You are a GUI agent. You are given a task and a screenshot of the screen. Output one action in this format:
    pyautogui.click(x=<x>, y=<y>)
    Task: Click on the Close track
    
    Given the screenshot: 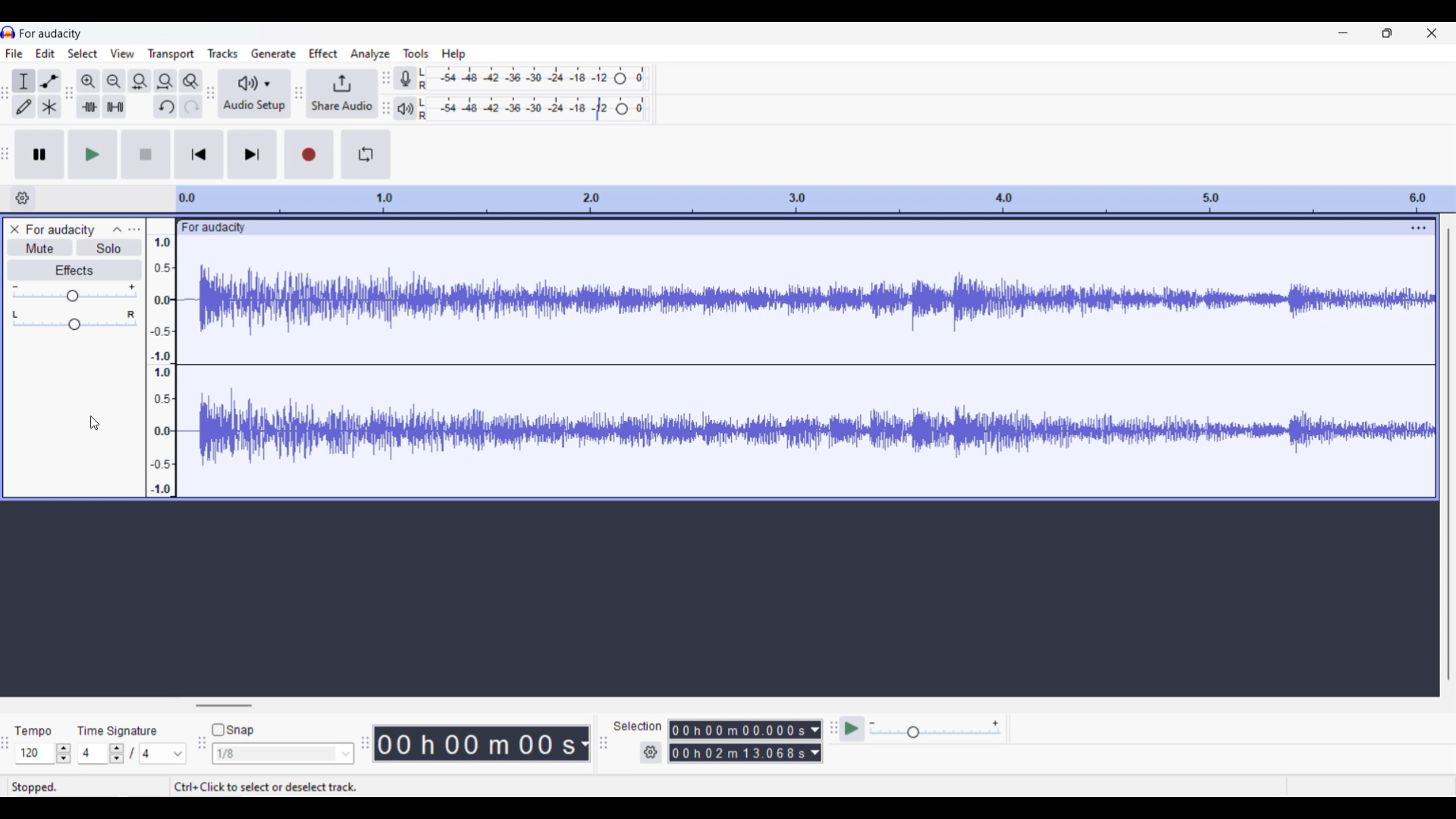 What is the action you would take?
    pyautogui.click(x=14, y=229)
    